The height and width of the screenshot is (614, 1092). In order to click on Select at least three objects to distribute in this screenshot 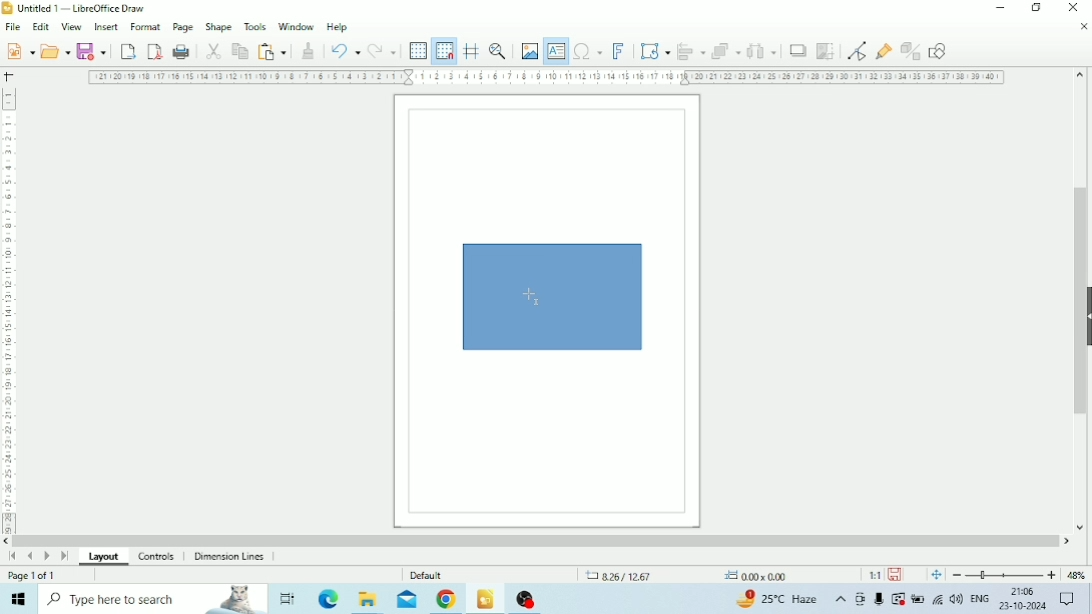, I will do `click(762, 50)`.